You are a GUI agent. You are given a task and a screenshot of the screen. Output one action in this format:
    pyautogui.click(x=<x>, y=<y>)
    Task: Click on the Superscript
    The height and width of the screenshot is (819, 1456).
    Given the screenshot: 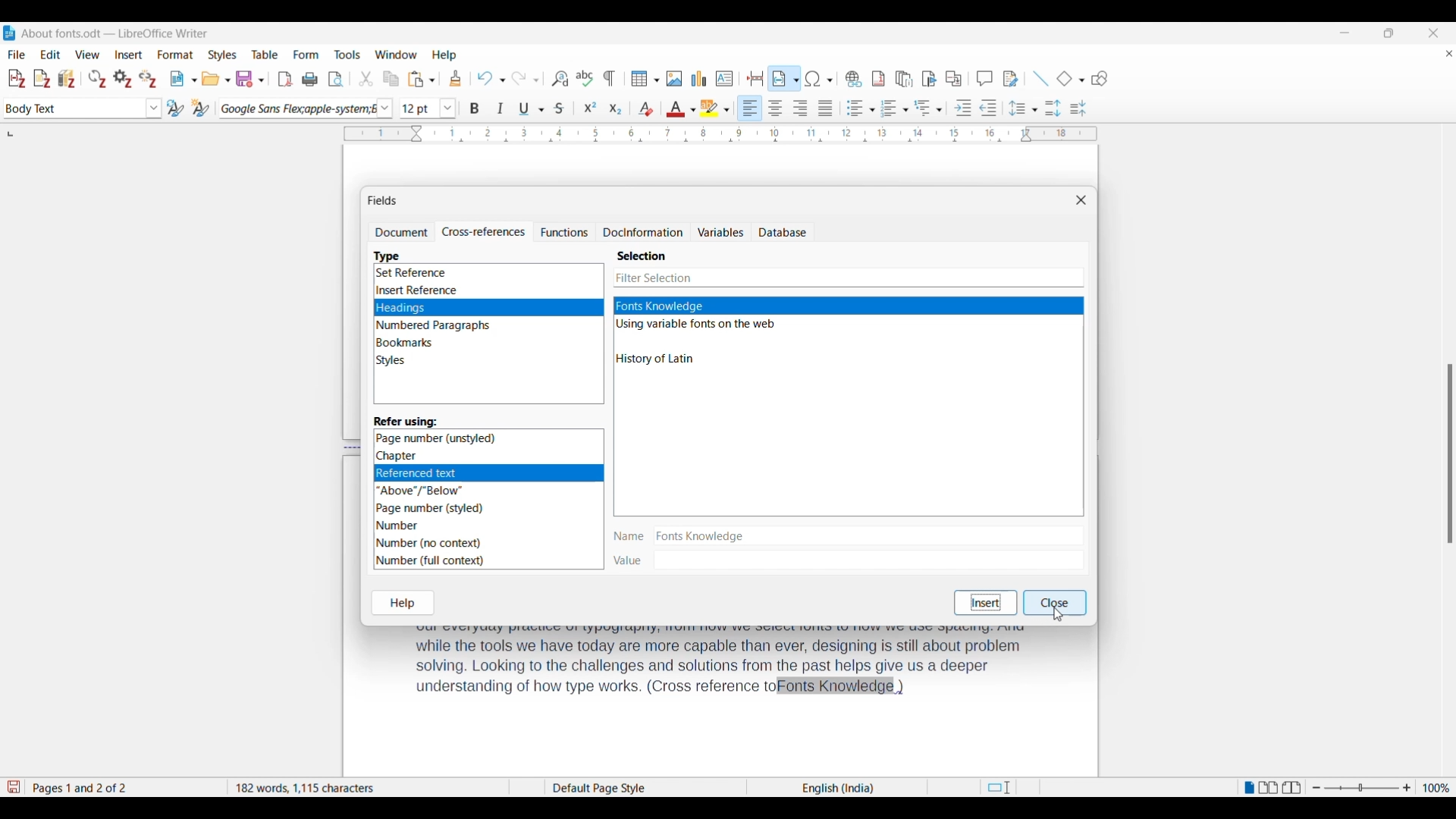 What is the action you would take?
    pyautogui.click(x=591, y=108)
    